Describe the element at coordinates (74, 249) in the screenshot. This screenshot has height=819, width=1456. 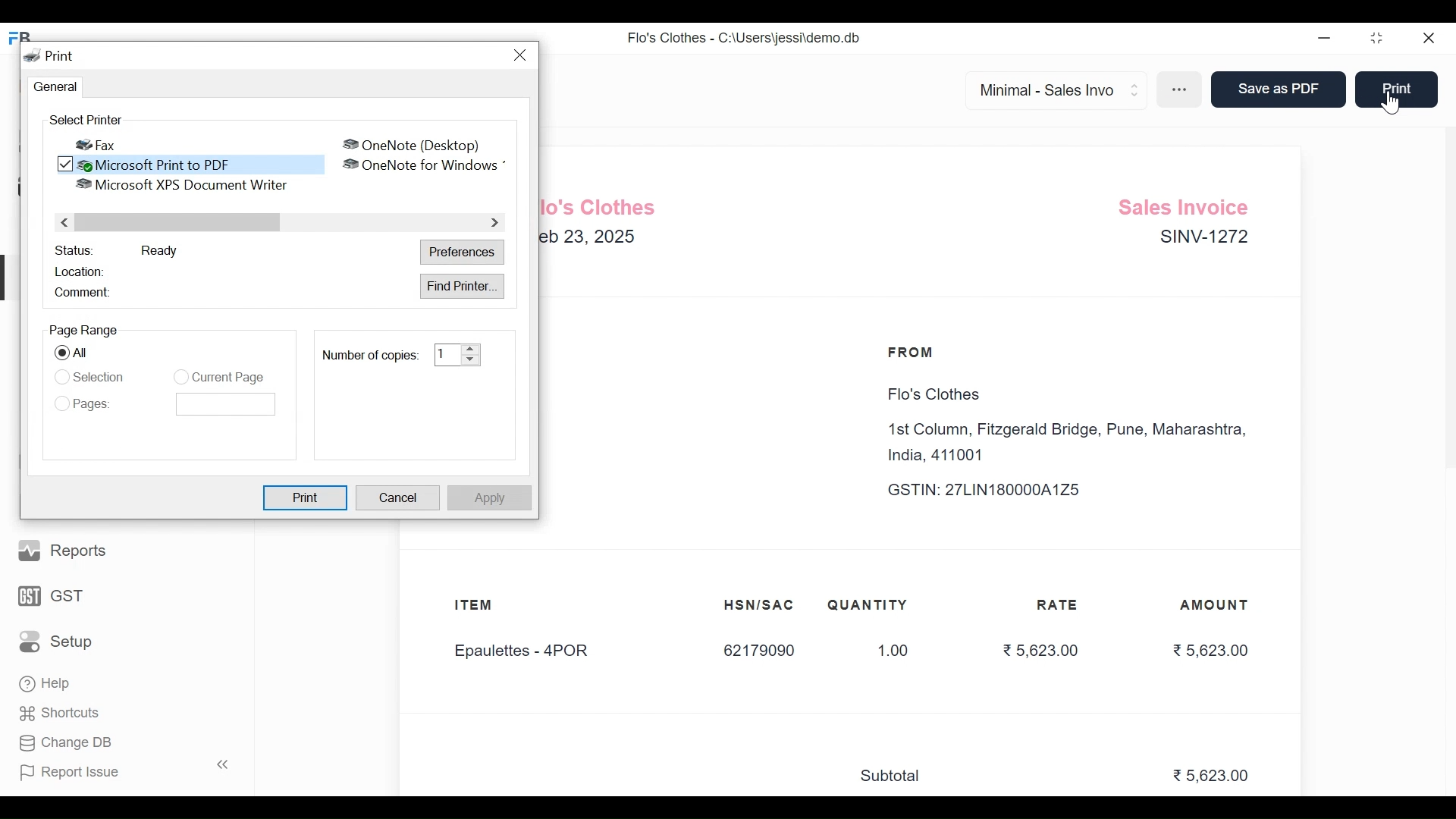
I see `Status:` at that location.